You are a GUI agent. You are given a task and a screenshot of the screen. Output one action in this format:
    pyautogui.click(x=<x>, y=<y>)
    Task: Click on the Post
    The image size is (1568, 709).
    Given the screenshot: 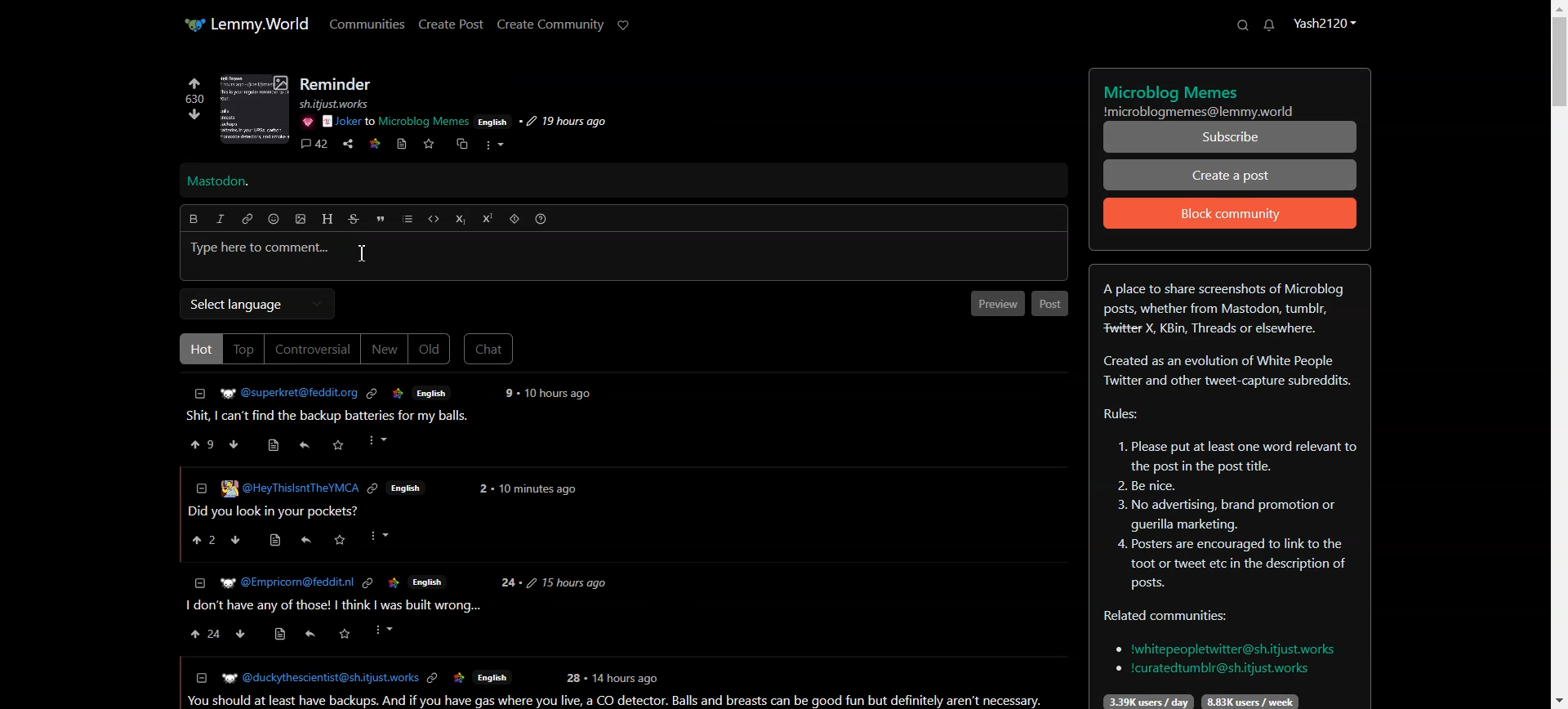 What is the action you would take?
    pyautogui.click(x=335, y=417)
    